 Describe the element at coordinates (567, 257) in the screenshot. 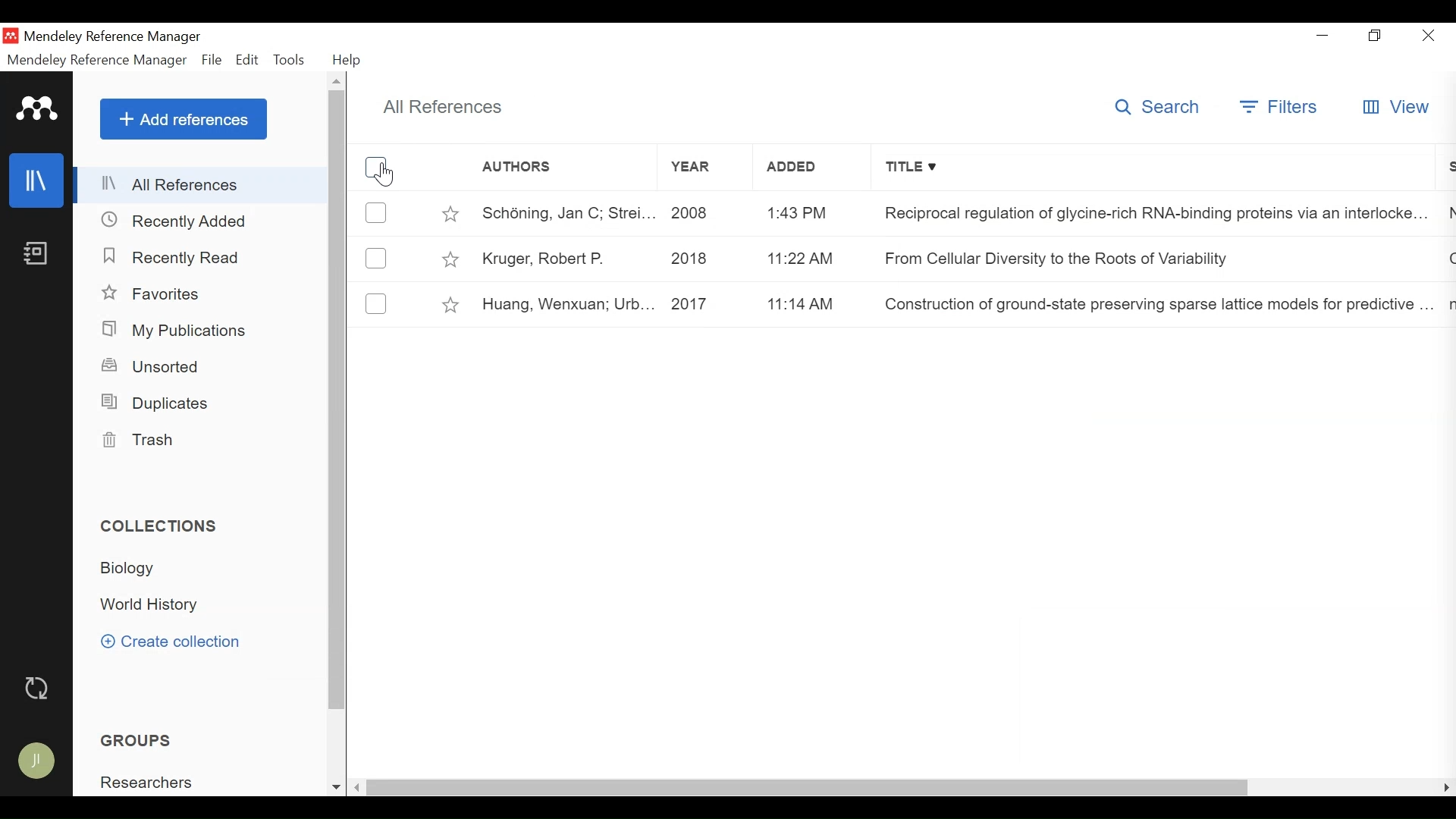

I see `Kruger, Robert P.` at that location.